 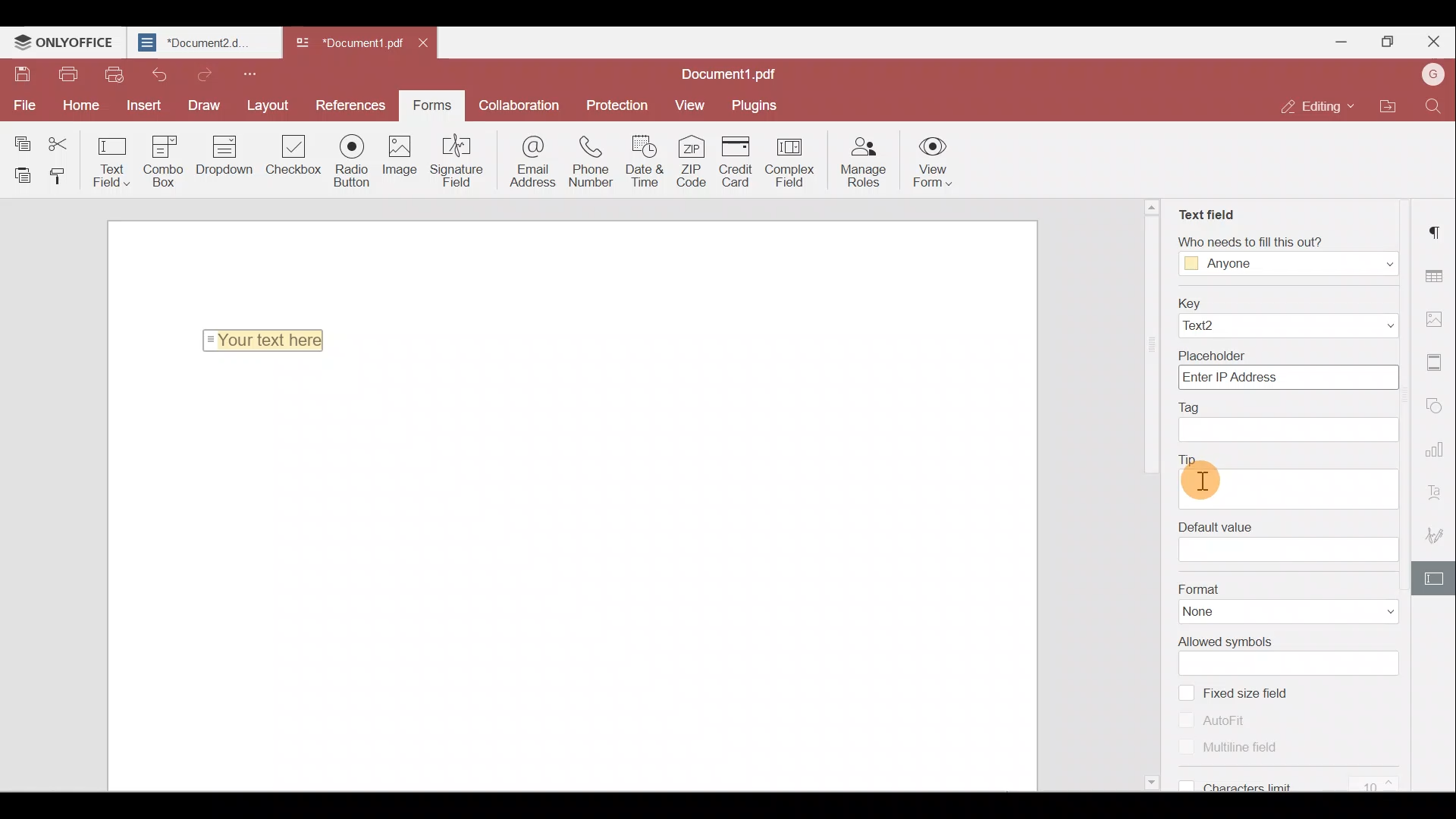 What do you see at coordinates (1198, 454) in the screenshot?
I see `Tip` at bounding box center [1198, 454].